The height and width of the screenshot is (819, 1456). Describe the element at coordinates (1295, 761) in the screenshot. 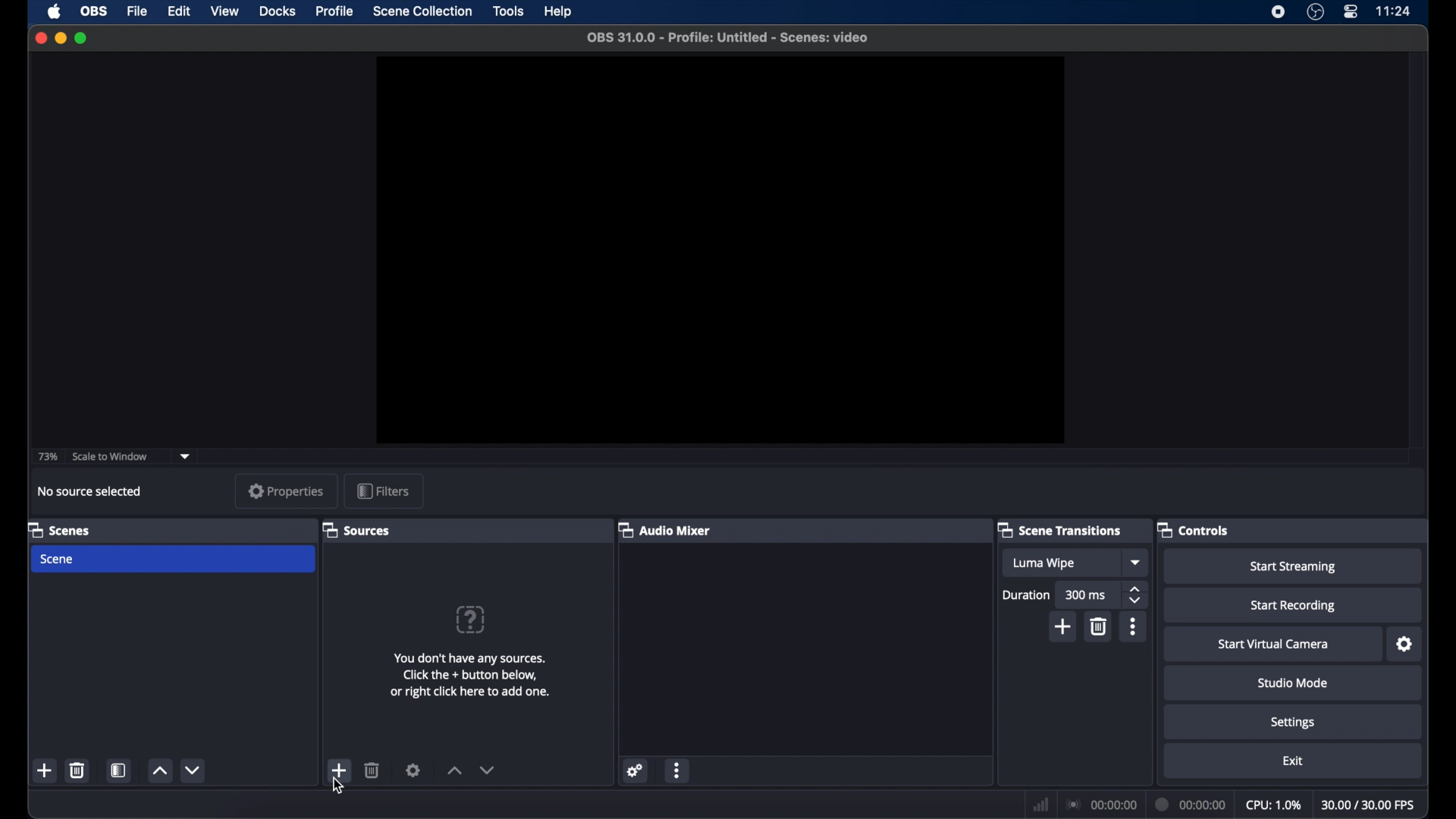

I see `exit` at that location.